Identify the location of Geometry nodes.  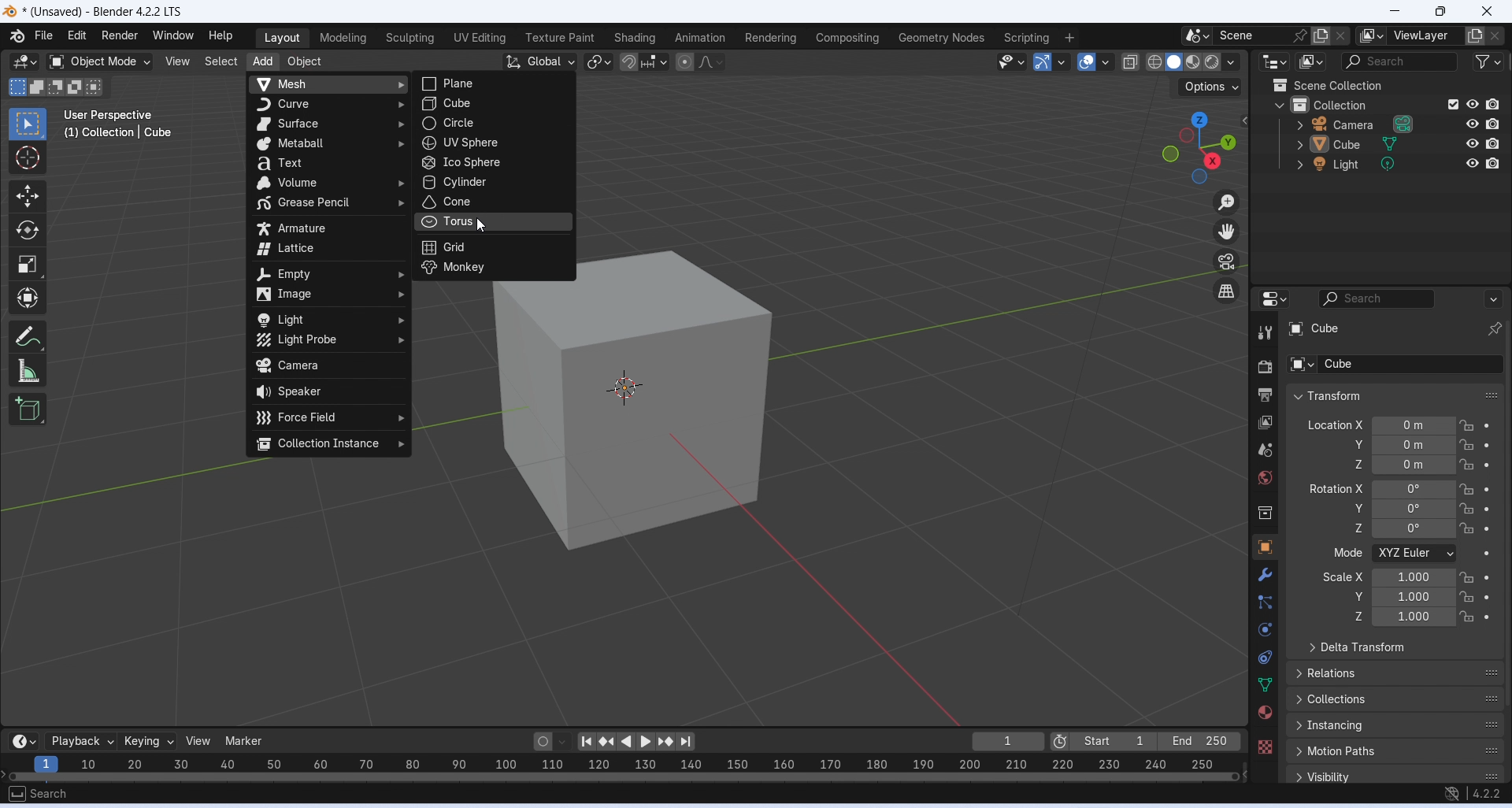
(943, 37).